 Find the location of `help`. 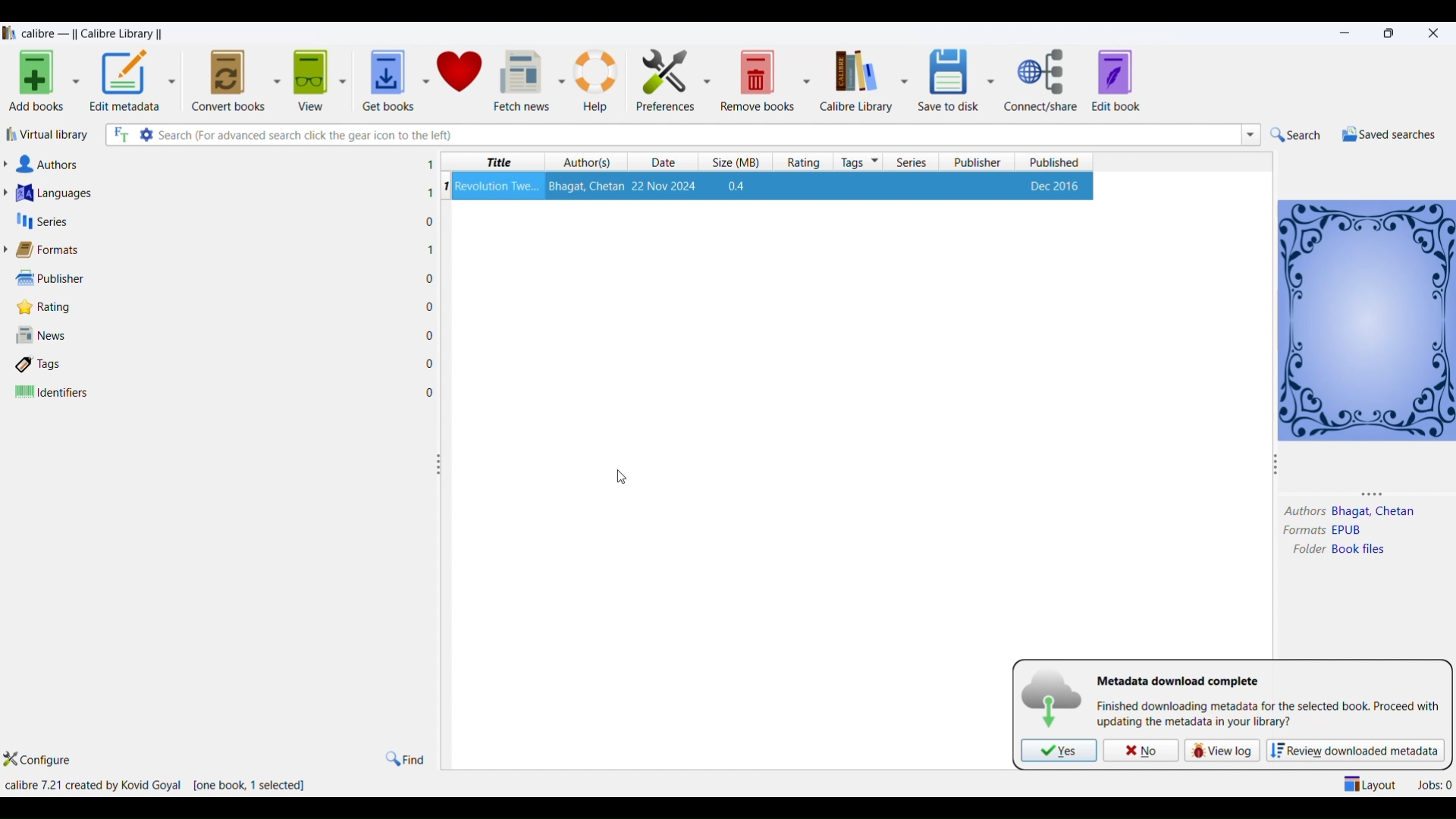

help is located at coordinates (598, 79).